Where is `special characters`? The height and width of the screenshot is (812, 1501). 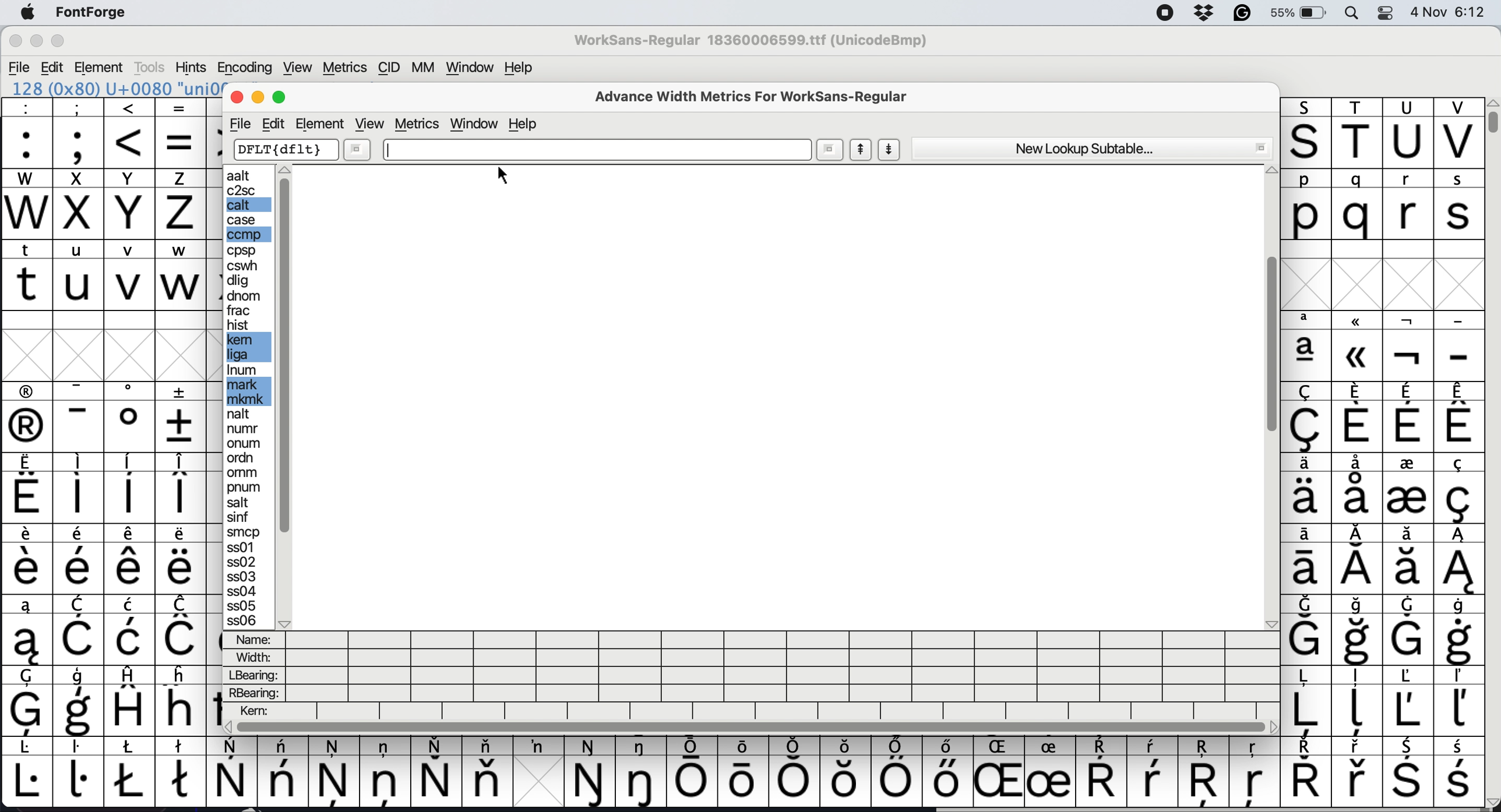 special characters is located at coordinates (1383, 496).